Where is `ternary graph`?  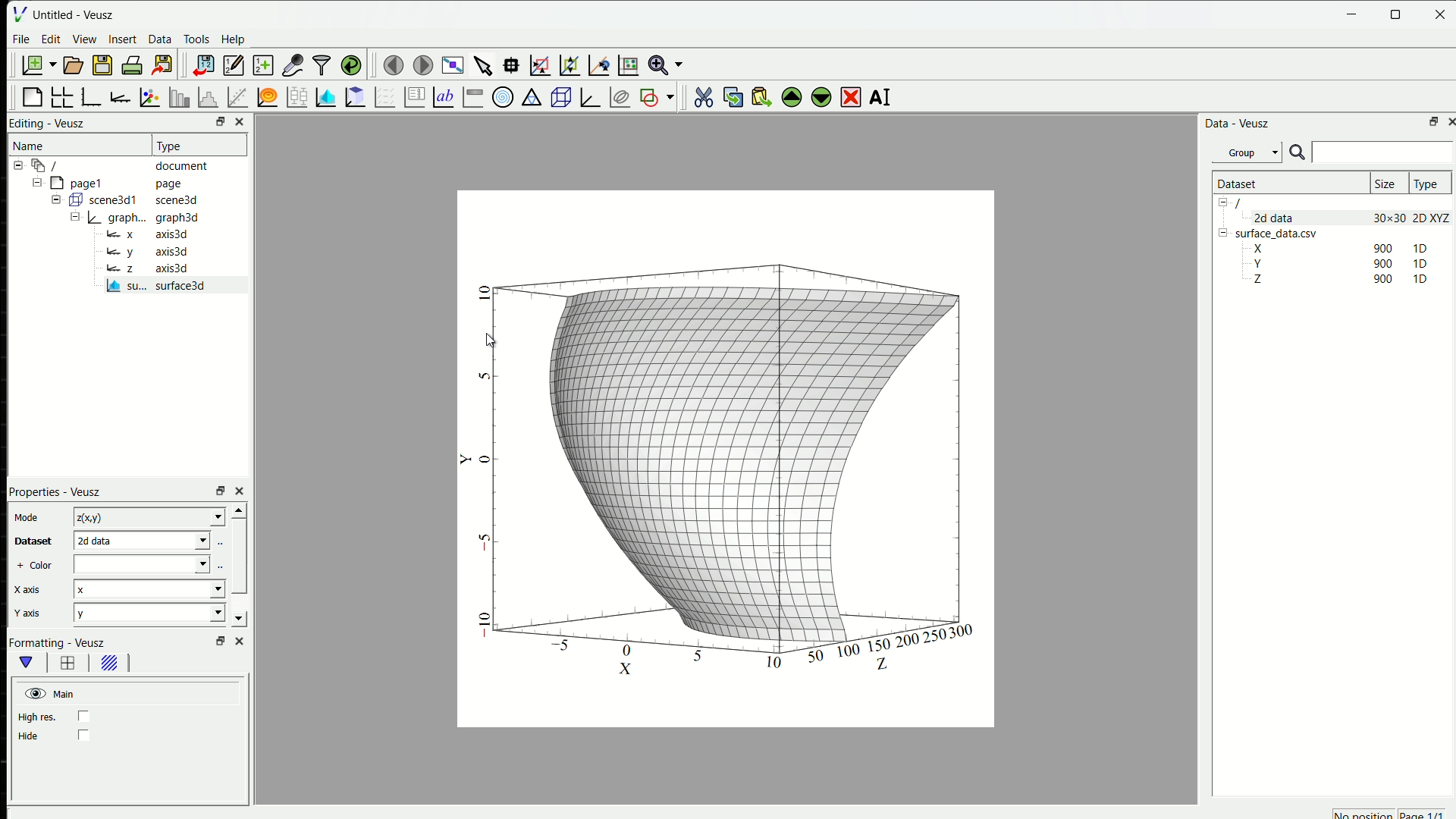 ternary graph is located at coordinates (534, 96).